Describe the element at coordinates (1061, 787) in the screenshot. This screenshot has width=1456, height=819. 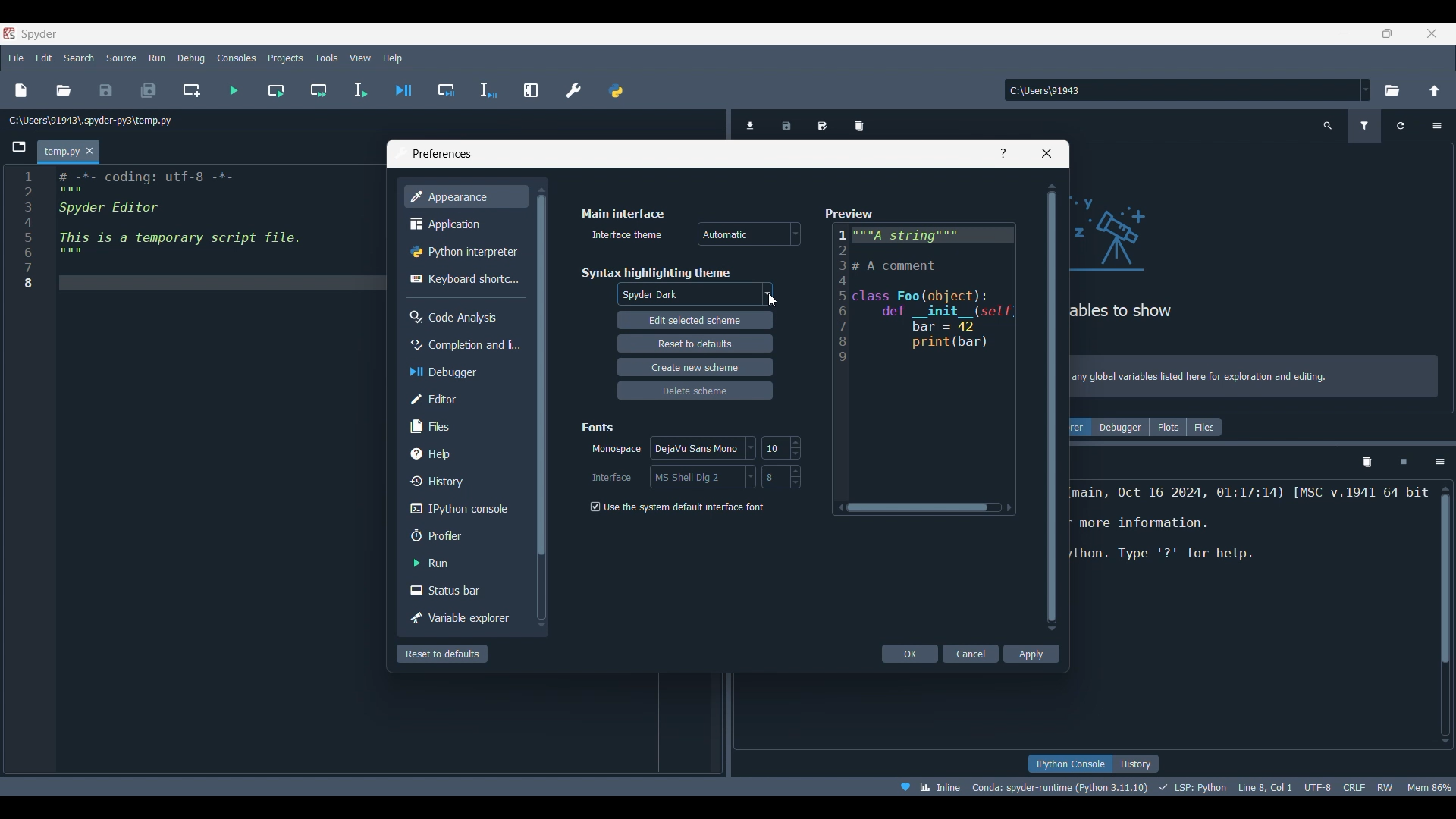
I see `interpreter` at that location.